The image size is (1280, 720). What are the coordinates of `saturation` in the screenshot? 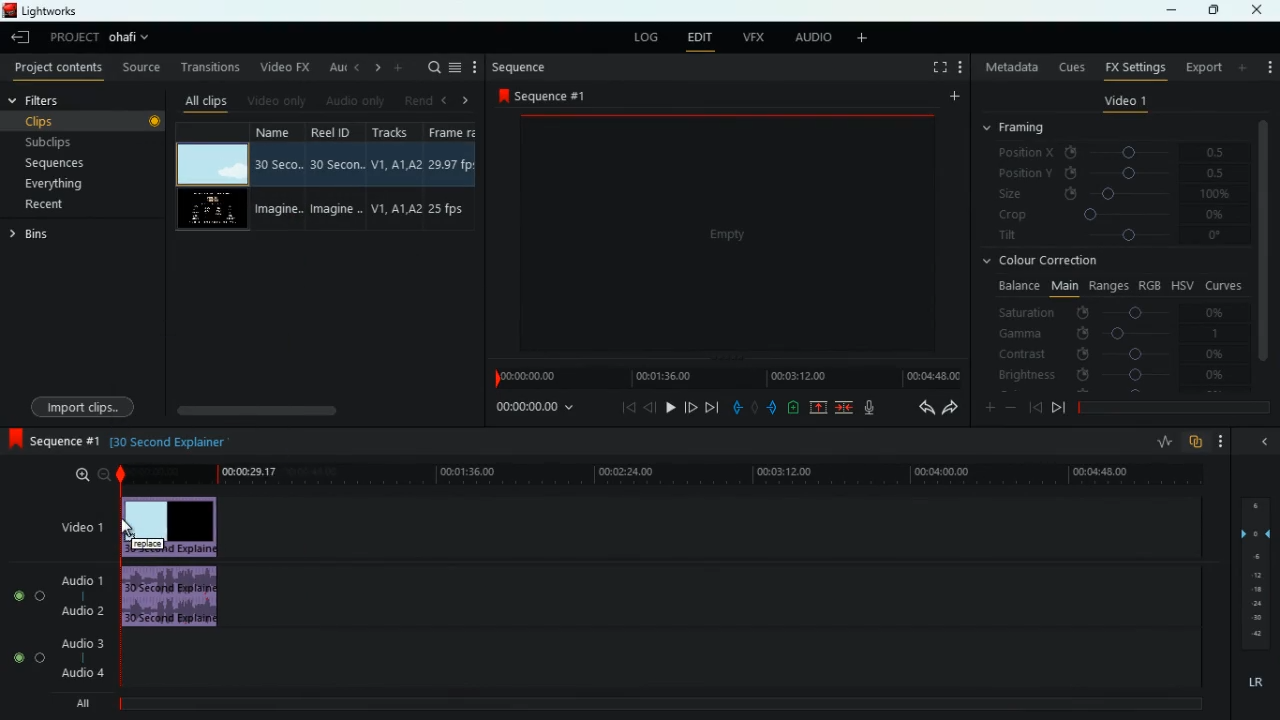 It's located at (1113, 314).